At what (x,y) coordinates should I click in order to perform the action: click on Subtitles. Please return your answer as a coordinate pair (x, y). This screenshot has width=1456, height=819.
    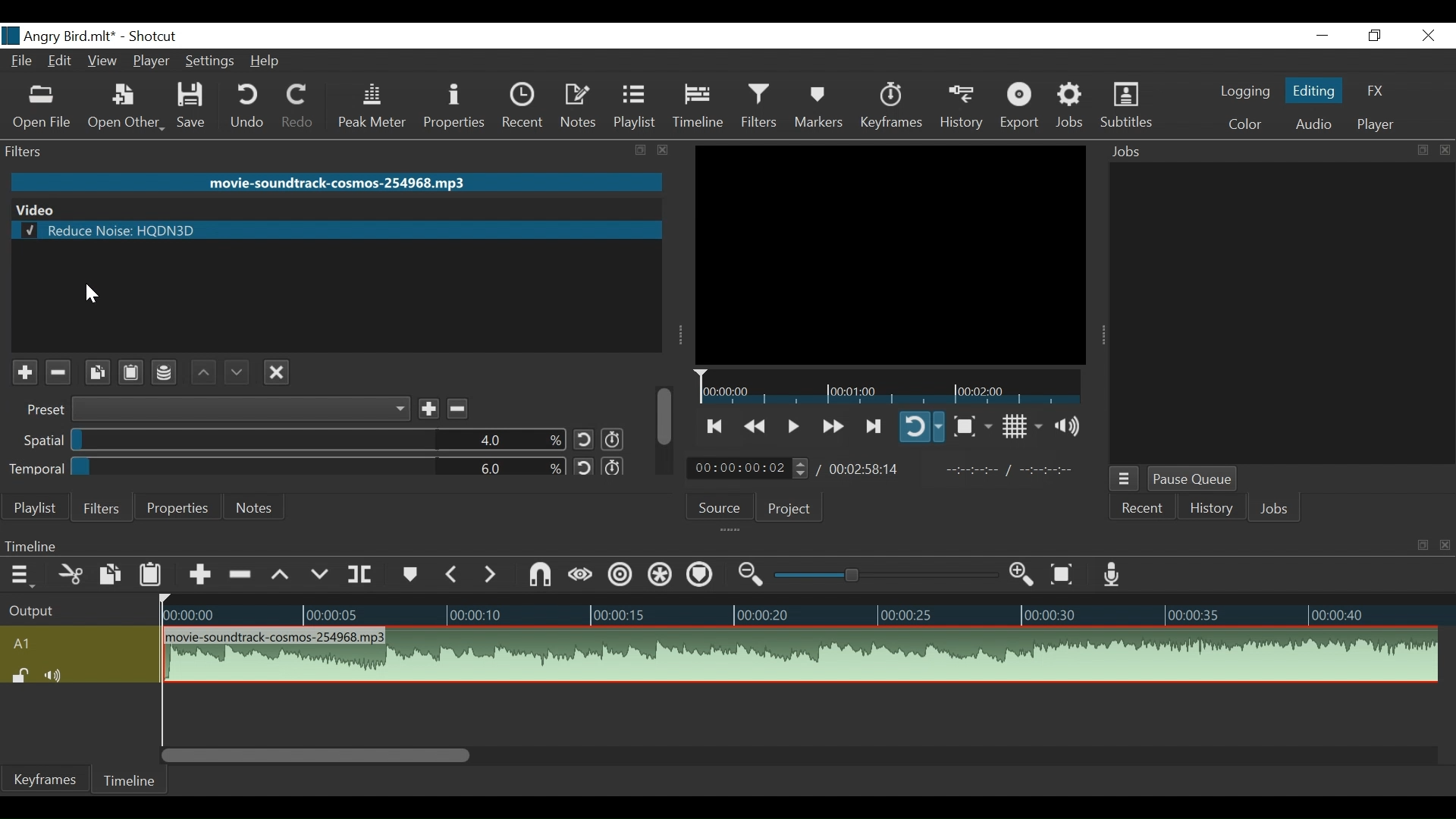
    Looking at the image, I should click on (1126, 106).